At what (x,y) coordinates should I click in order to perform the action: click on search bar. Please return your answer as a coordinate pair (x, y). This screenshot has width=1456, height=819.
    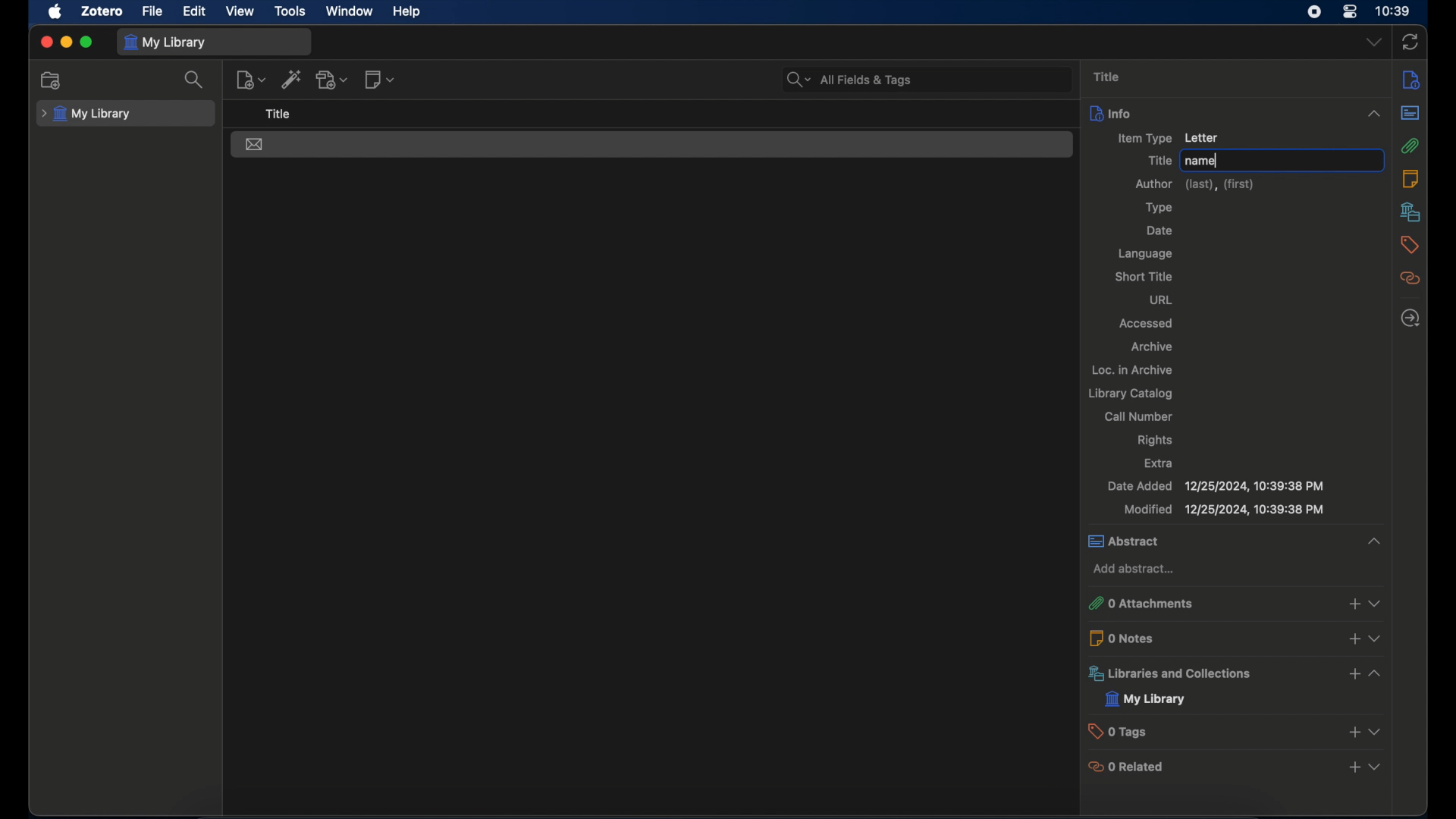
    Looking at the image, I should click on (851, 80).